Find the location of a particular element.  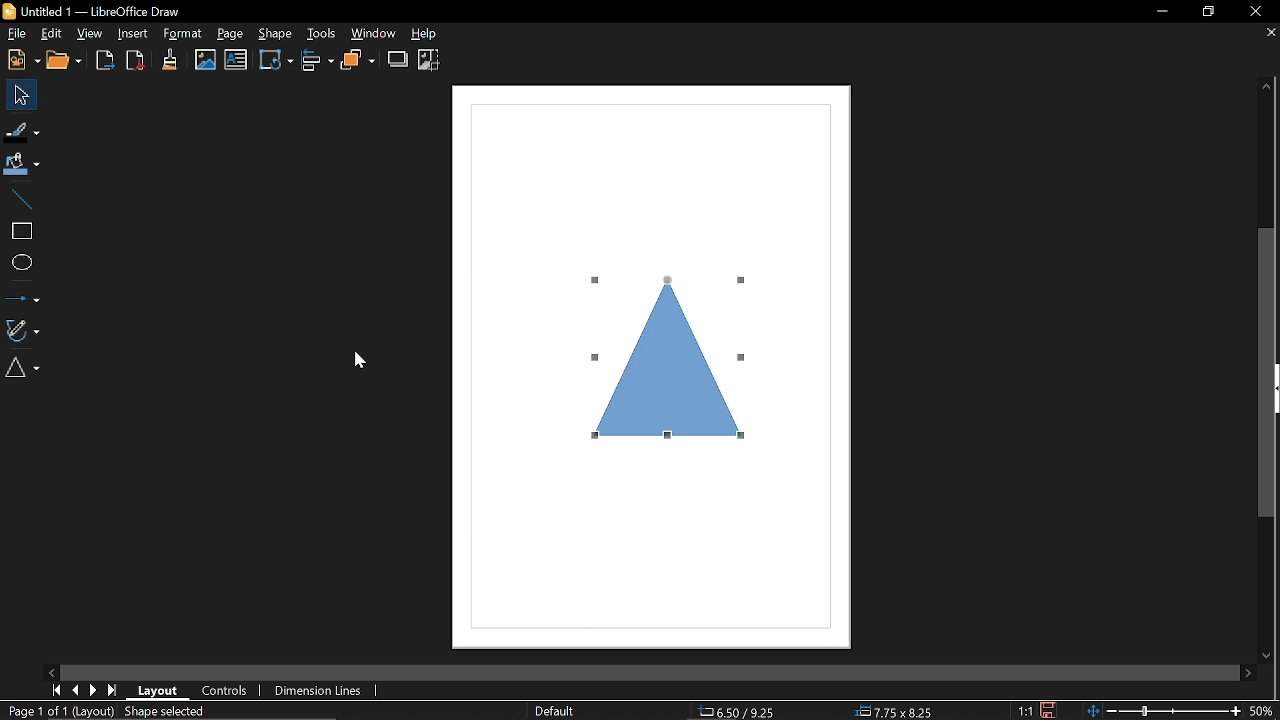

TrIangle drawn is located at coordinates (670, 365).